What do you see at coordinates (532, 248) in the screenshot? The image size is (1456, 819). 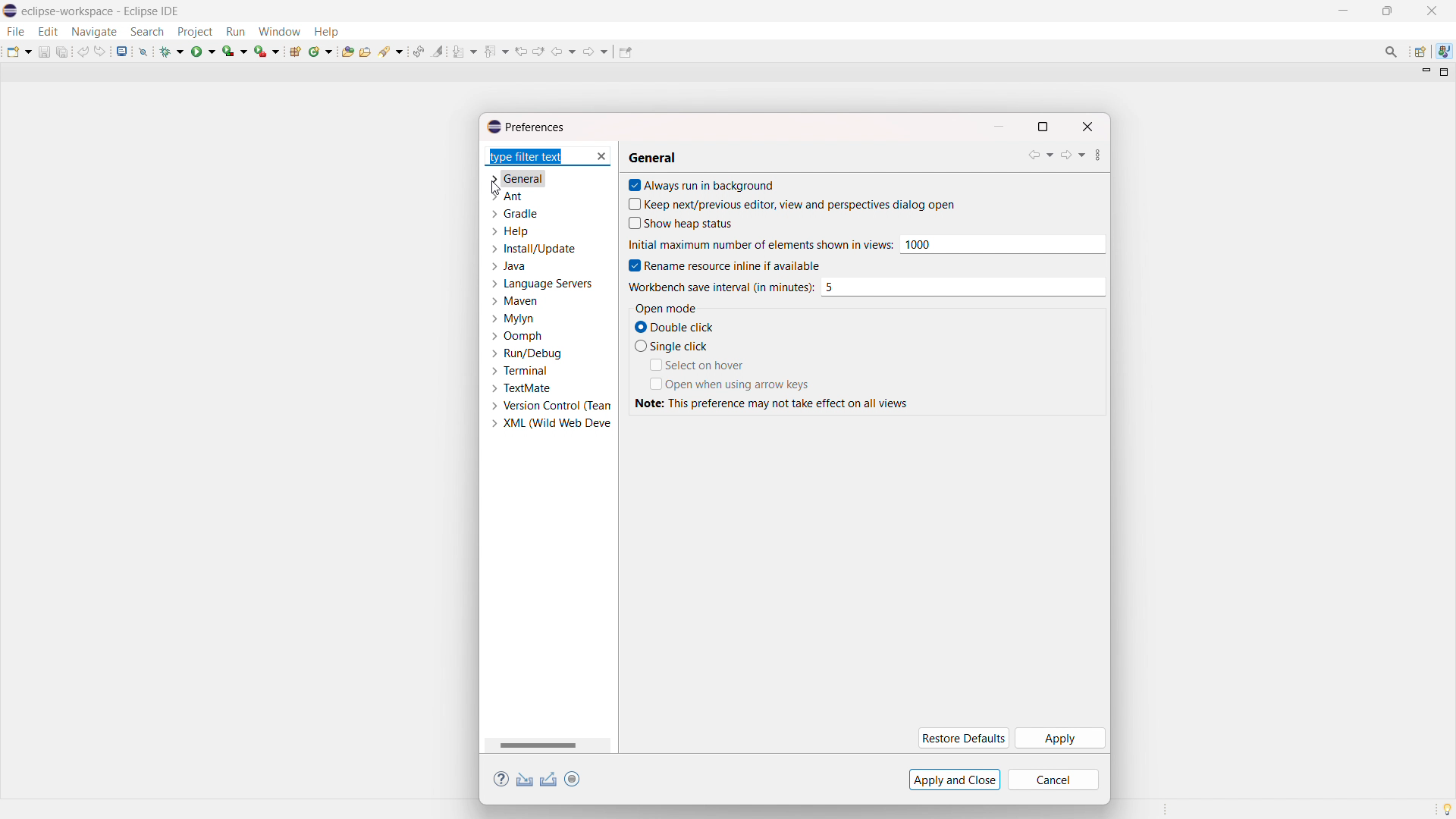 I see `install/update` at bounding box center [532, 248].